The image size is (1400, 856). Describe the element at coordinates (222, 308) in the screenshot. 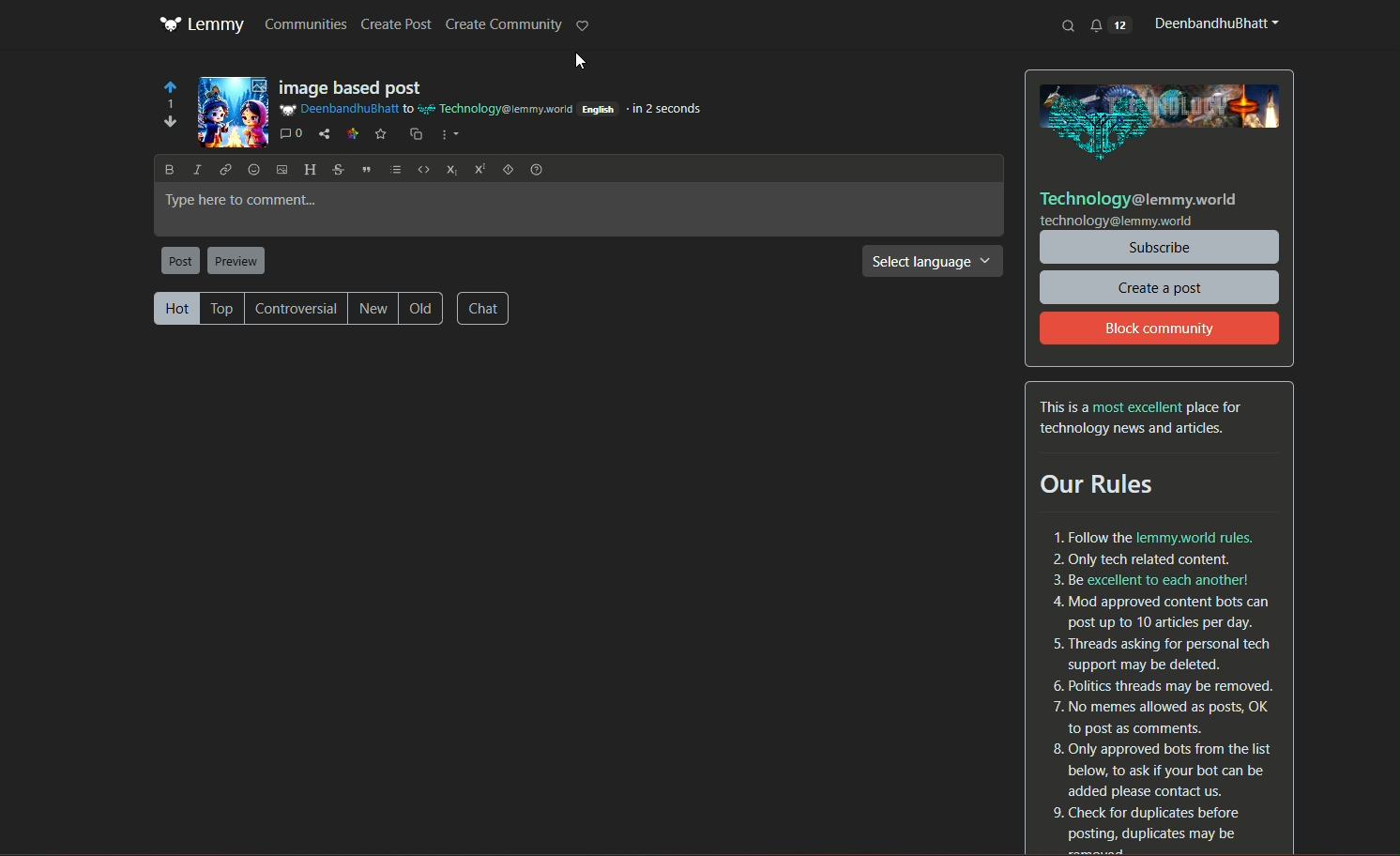

I see `top` at that location.